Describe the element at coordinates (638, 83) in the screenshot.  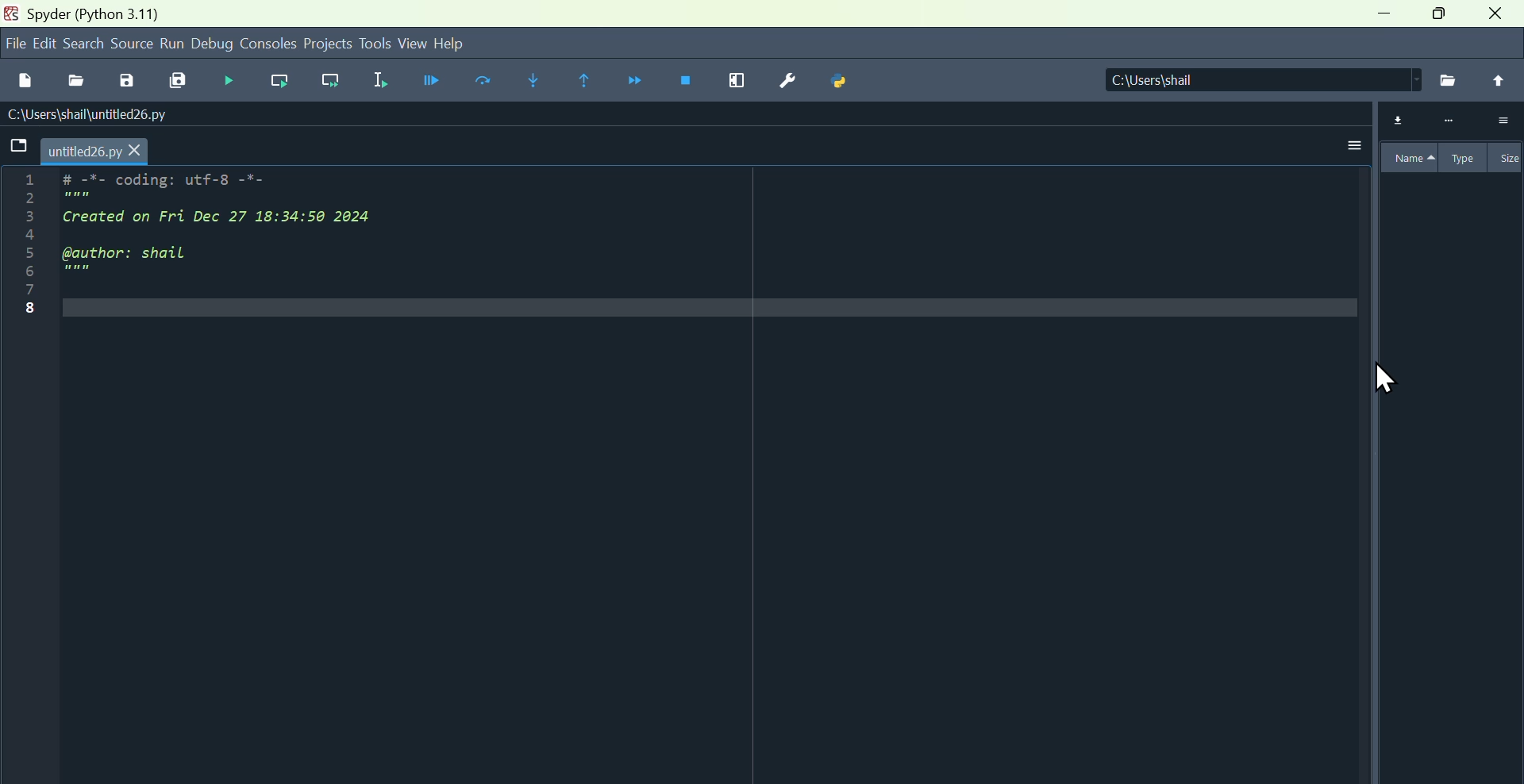
I see `Continue execution until next function` at that location.